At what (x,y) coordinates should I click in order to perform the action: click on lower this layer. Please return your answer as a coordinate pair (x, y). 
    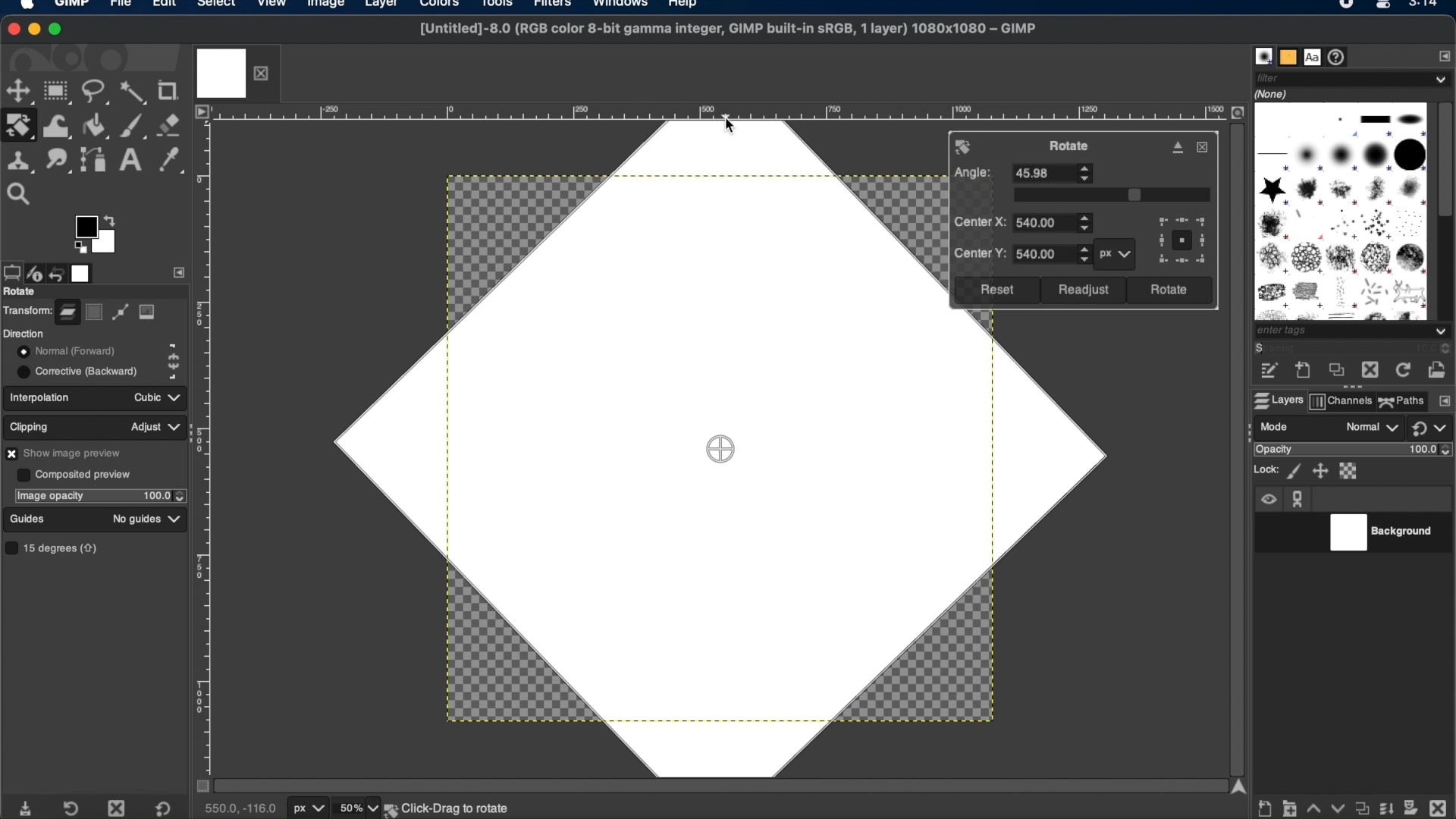
    Looking at the image, I should click on (1337, 808).